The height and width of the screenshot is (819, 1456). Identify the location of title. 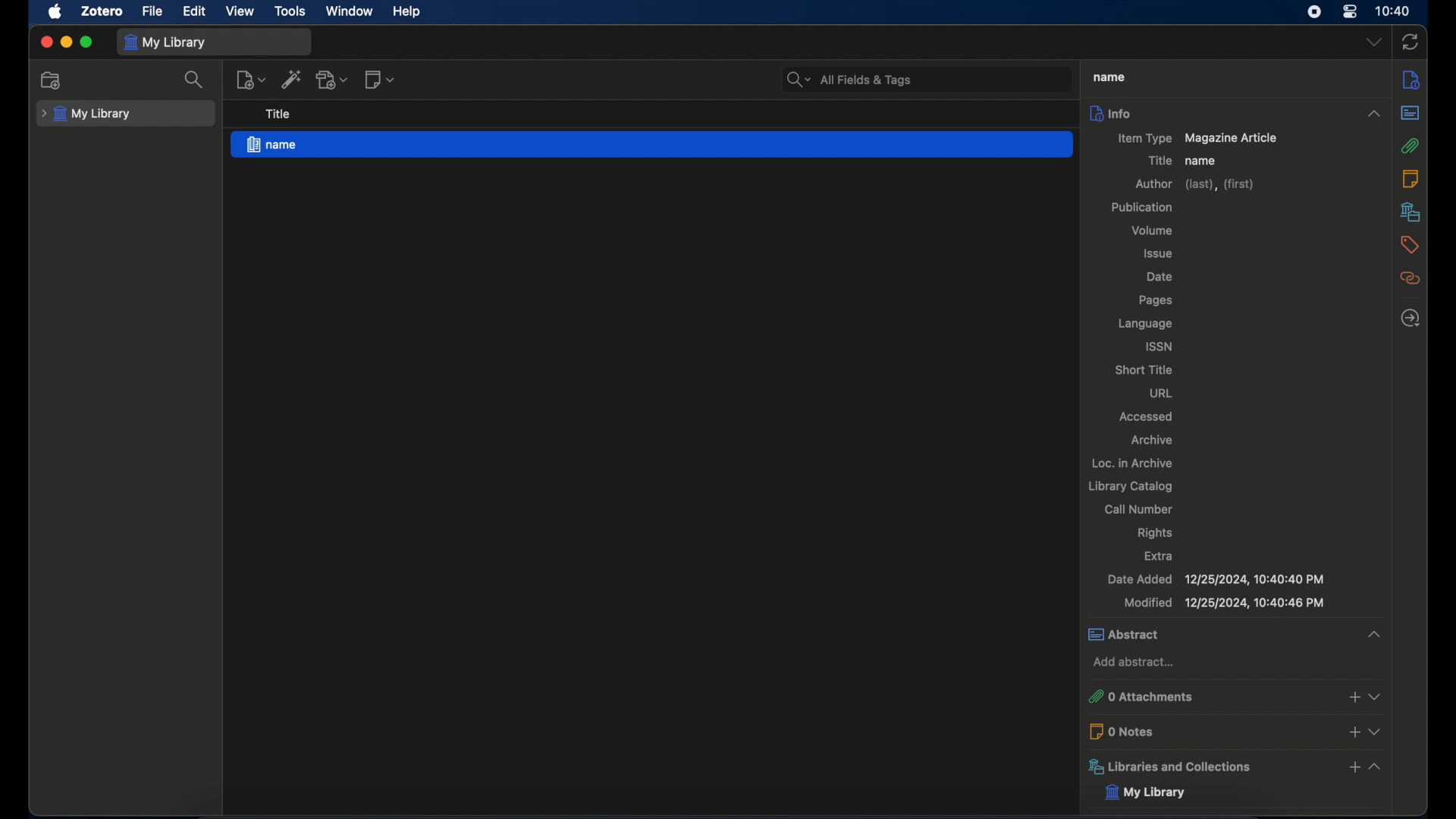
(278, 114).